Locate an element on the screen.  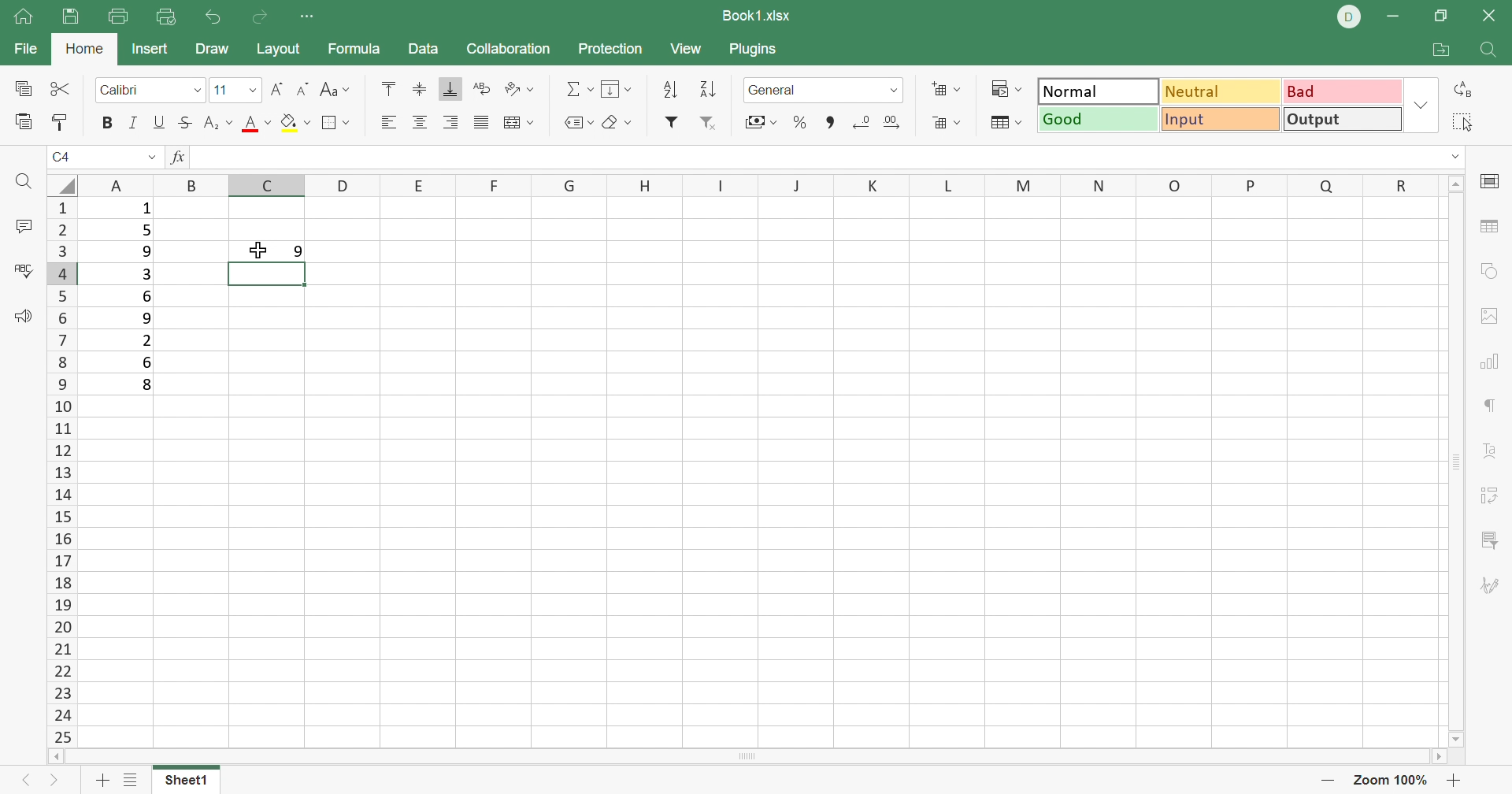
Increase decimal is located at coordinates (894, 121).